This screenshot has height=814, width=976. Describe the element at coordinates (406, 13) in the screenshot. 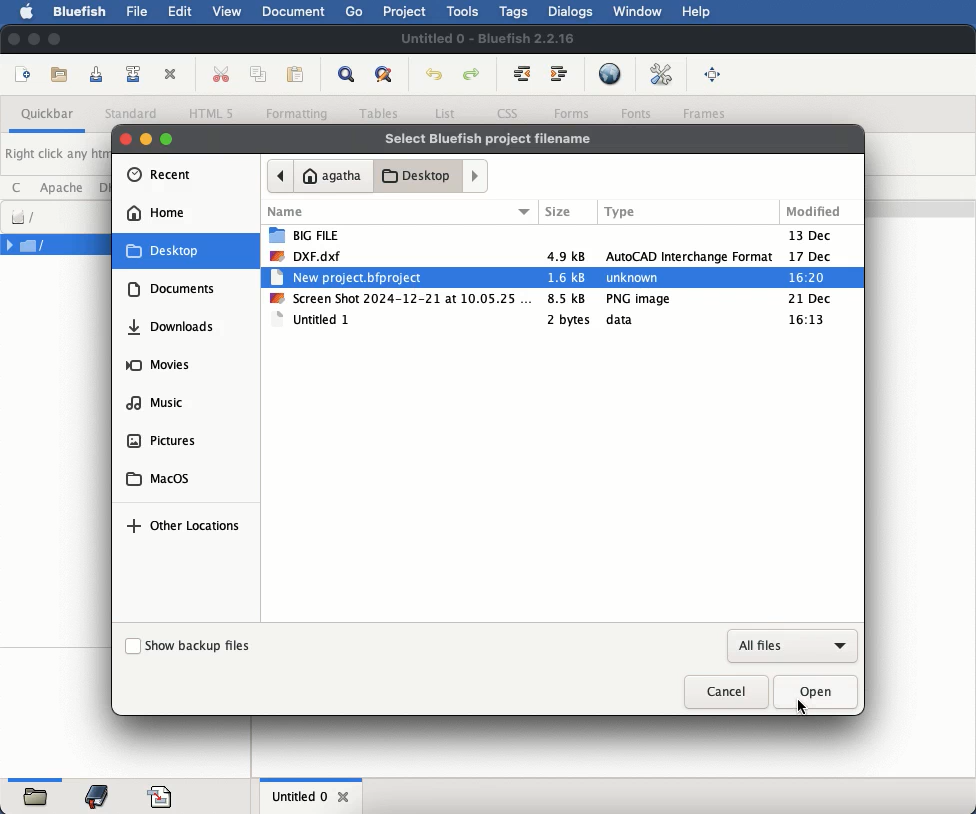

I see `project` at that location.